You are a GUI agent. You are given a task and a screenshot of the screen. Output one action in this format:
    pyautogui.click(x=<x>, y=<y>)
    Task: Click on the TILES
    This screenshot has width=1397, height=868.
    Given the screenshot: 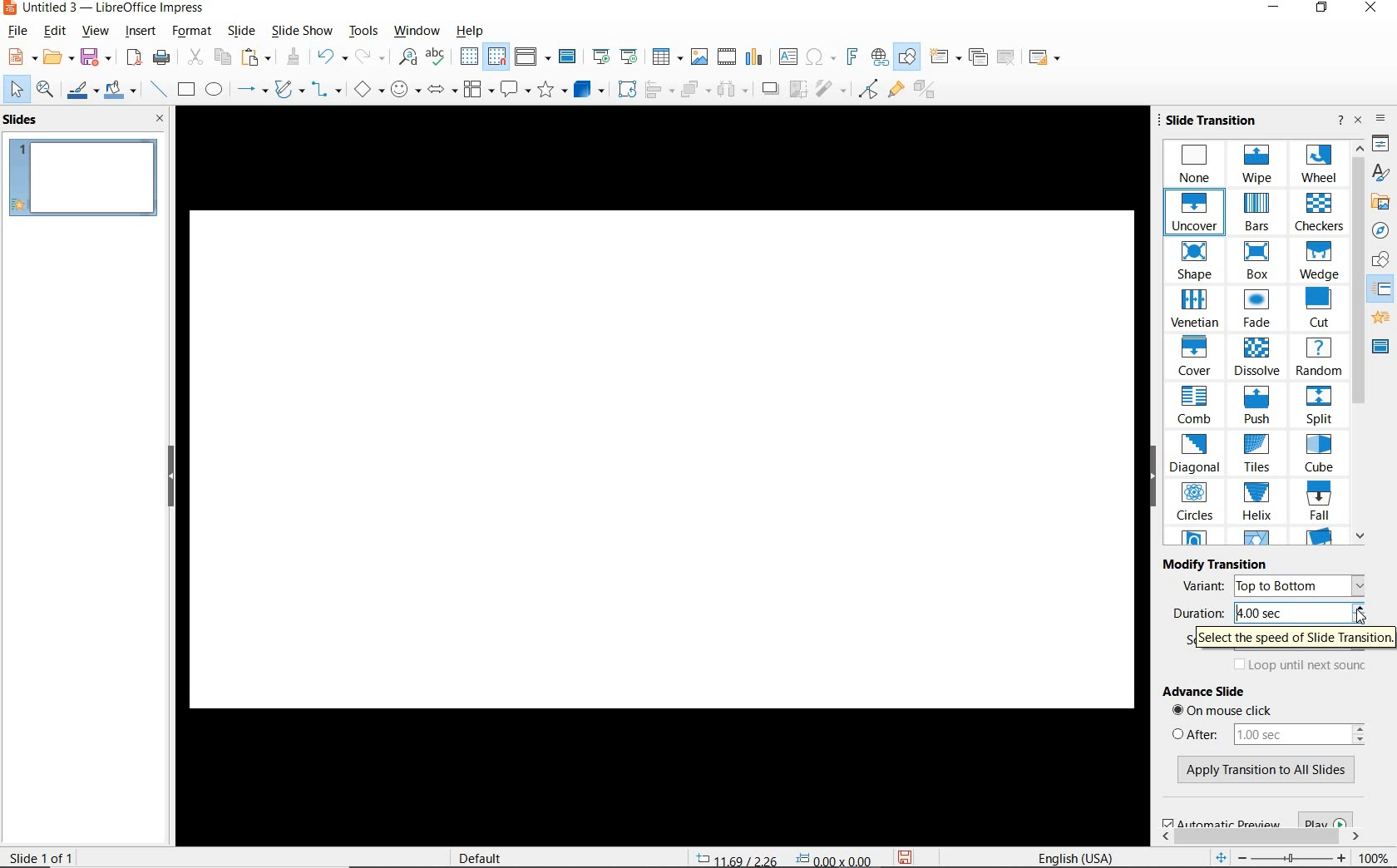 What is the action you would take?
    pyautogui.click(x=1260, y=454)
    